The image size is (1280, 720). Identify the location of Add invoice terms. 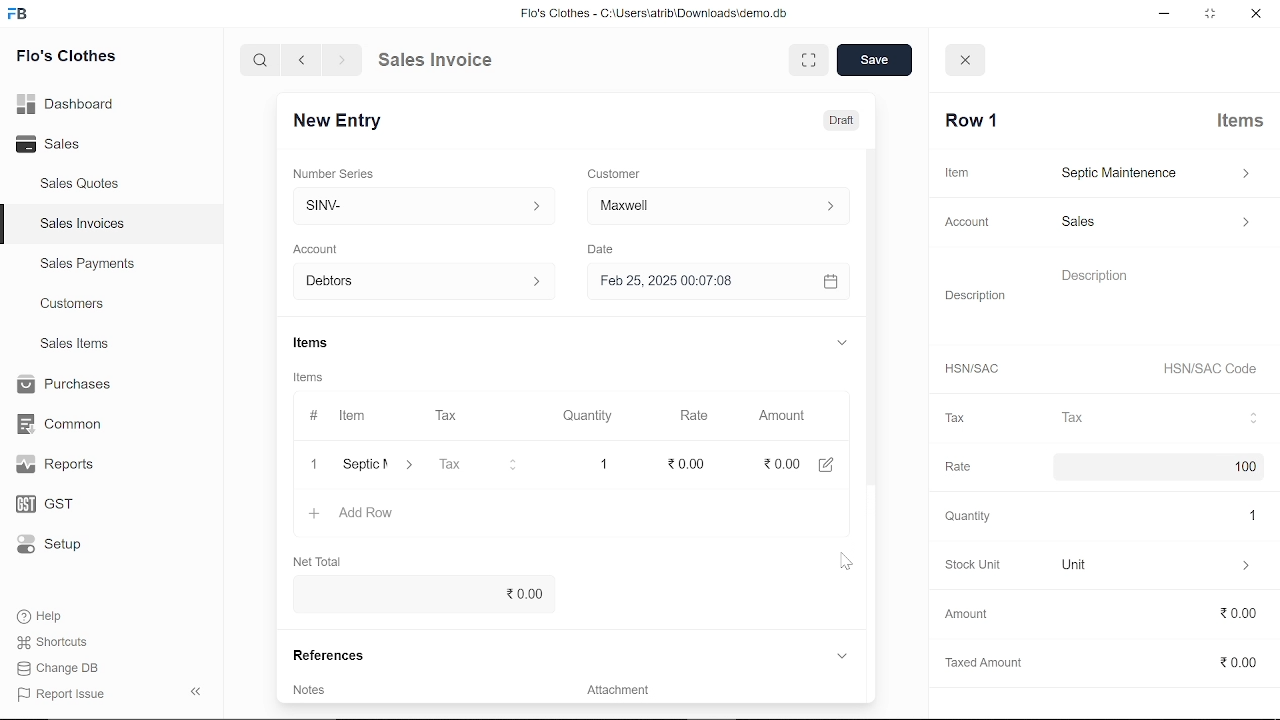
(320, 688).